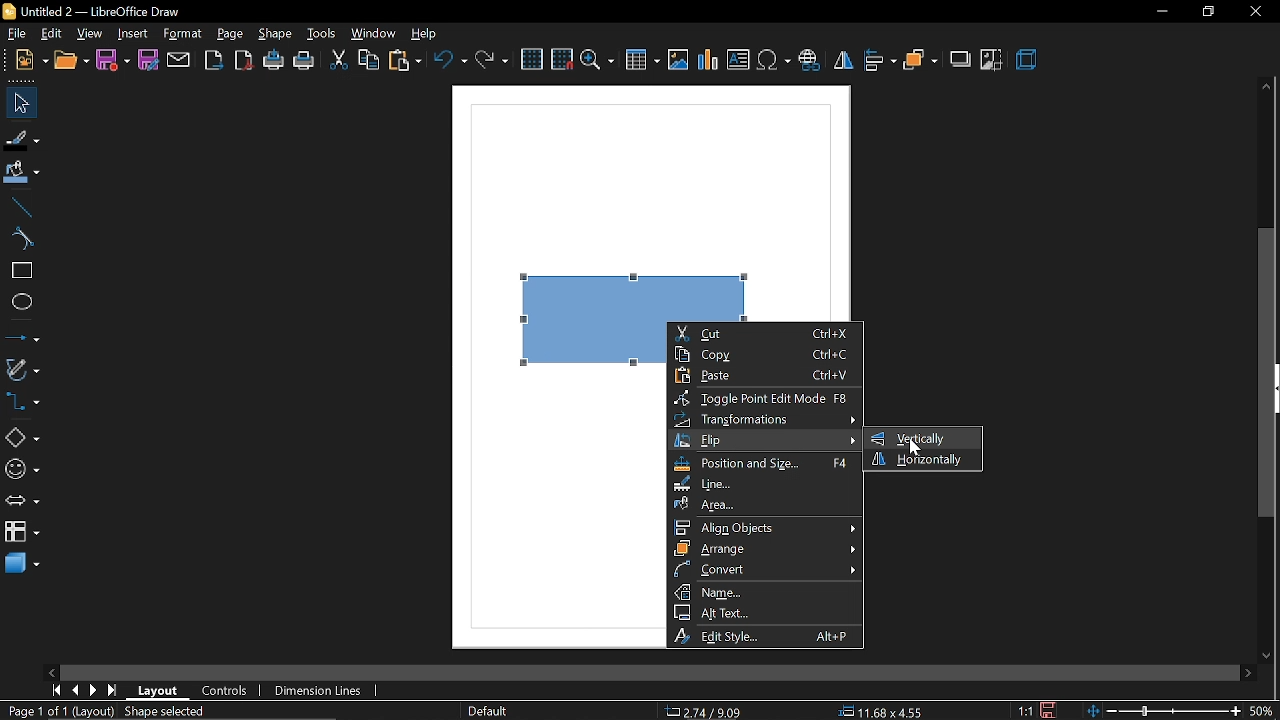  I want to click on zoom, so click(599, 62).